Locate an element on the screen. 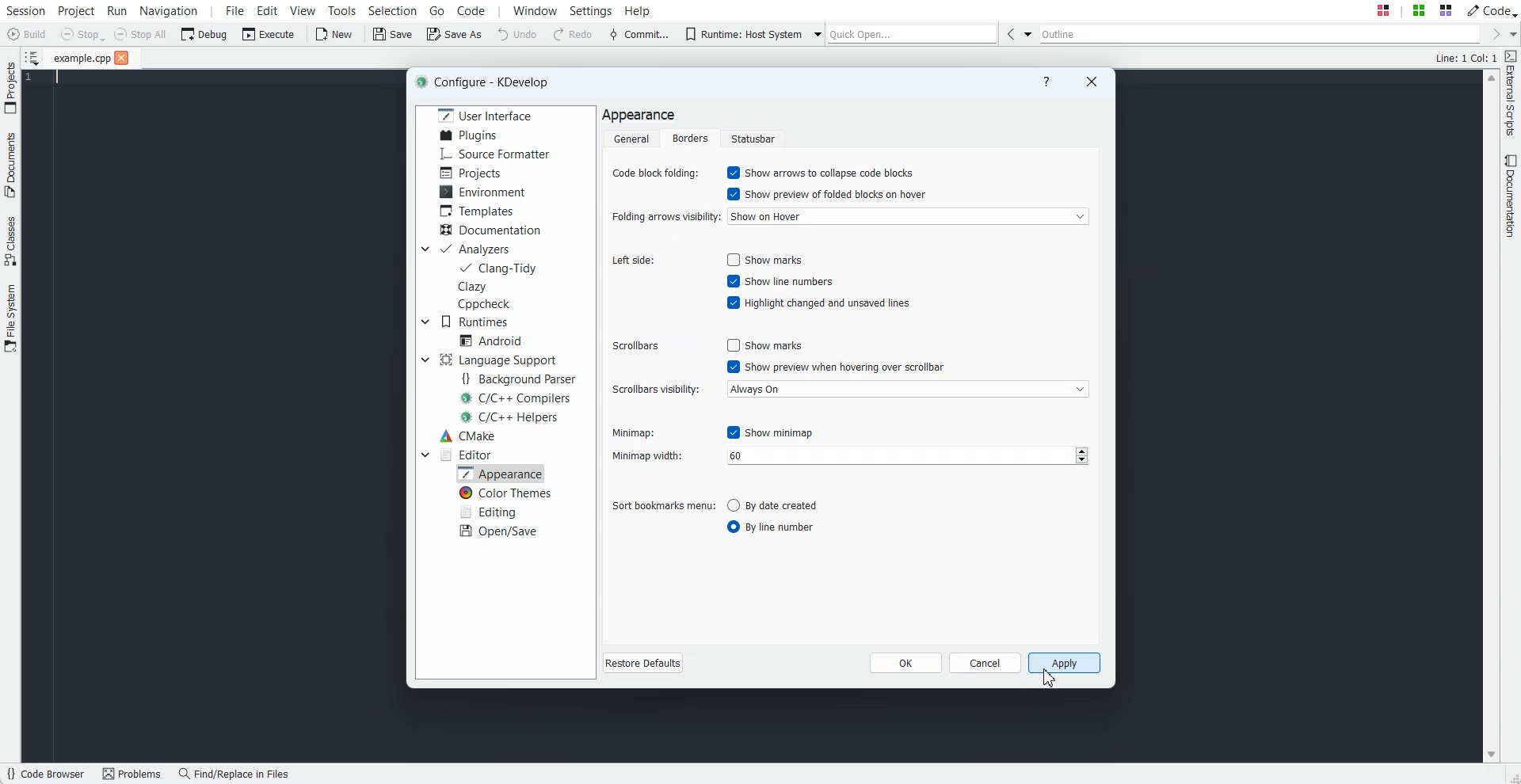 The width and height of the screenshot is (1521, 784). Templates is located at coordinates (478, 210).